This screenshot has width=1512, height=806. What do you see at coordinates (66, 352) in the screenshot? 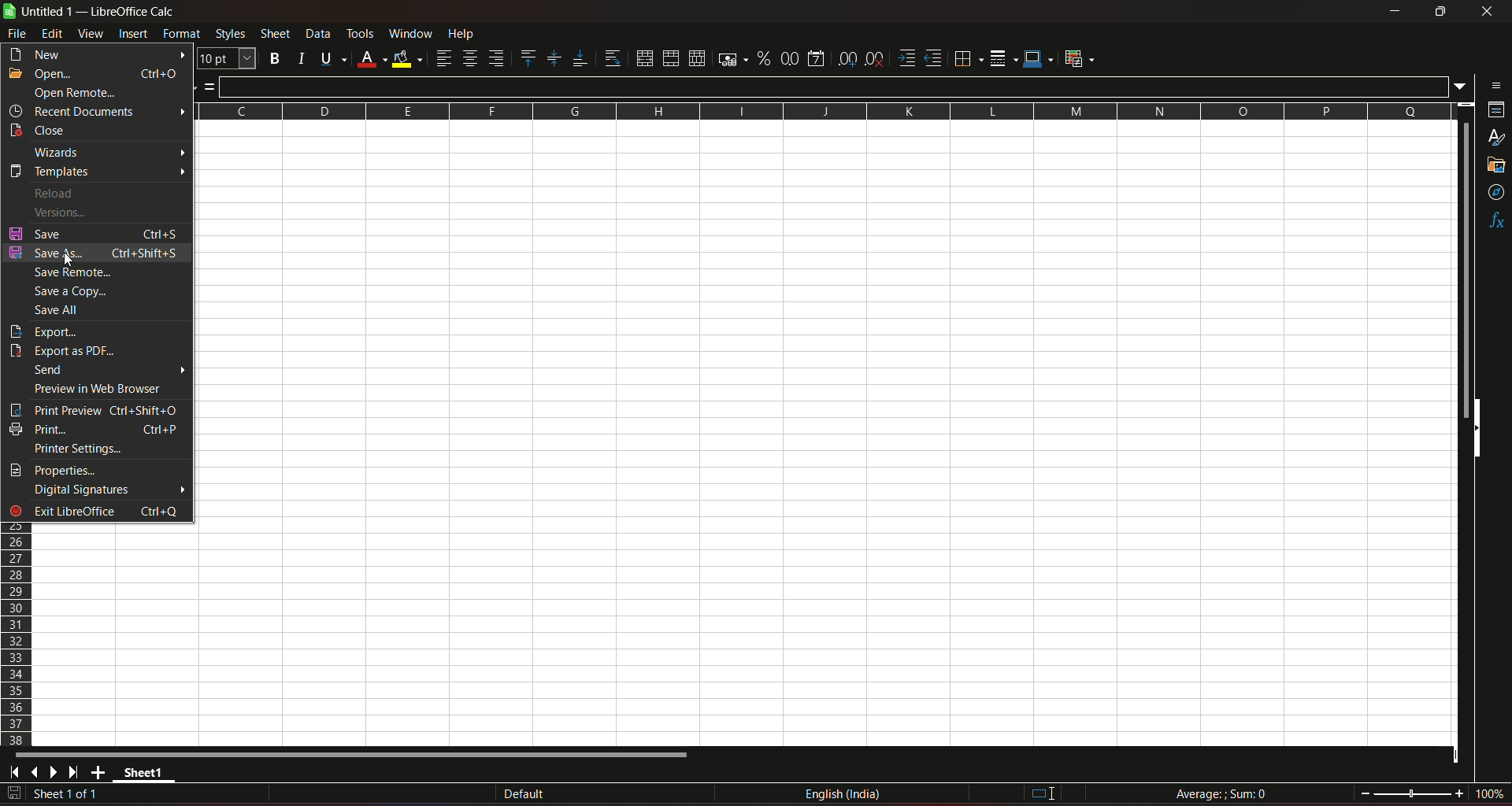
I see `export as pdf` at bounding box center [66, 352].